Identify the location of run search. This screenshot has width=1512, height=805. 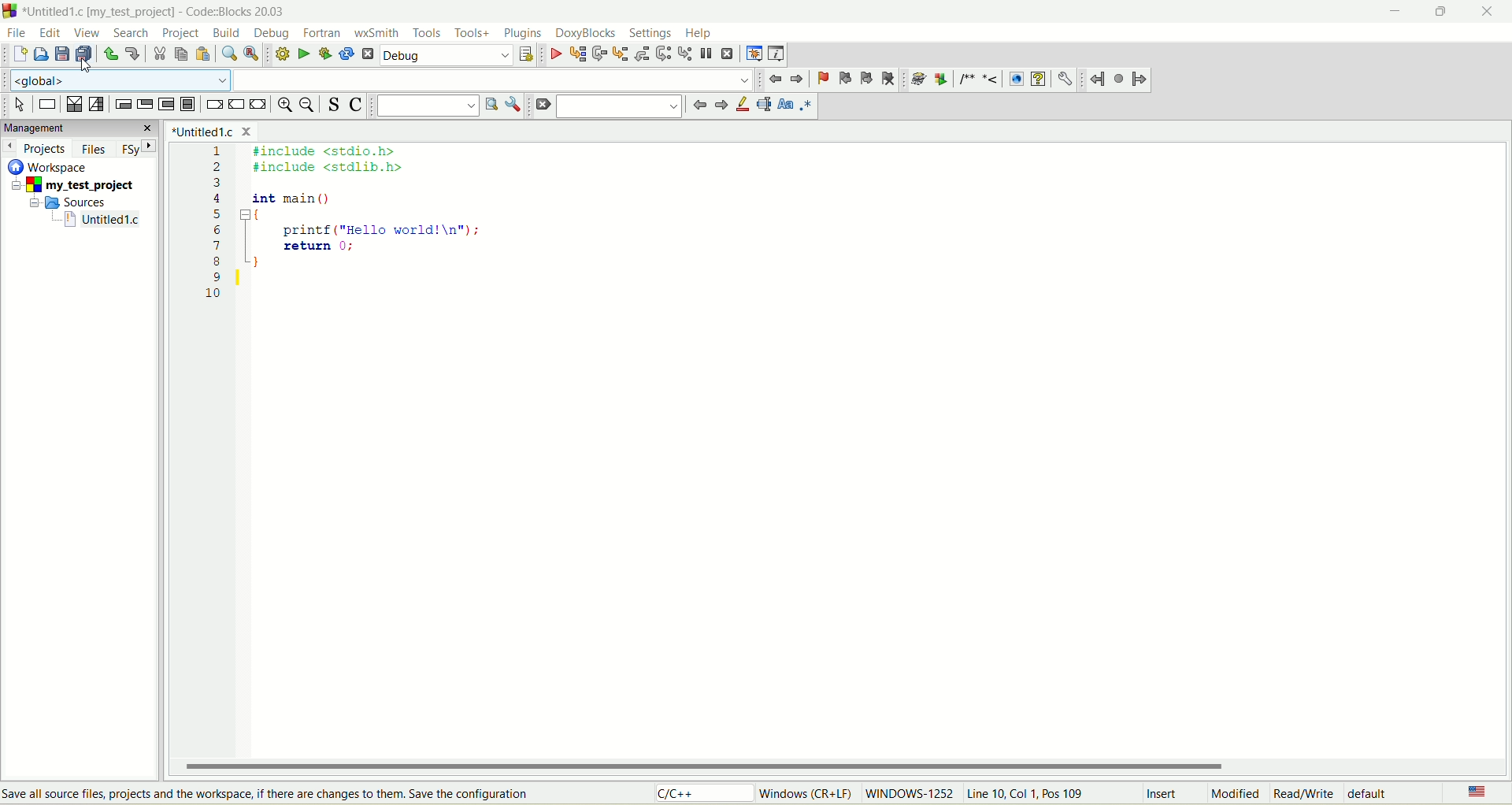
(490, 109).